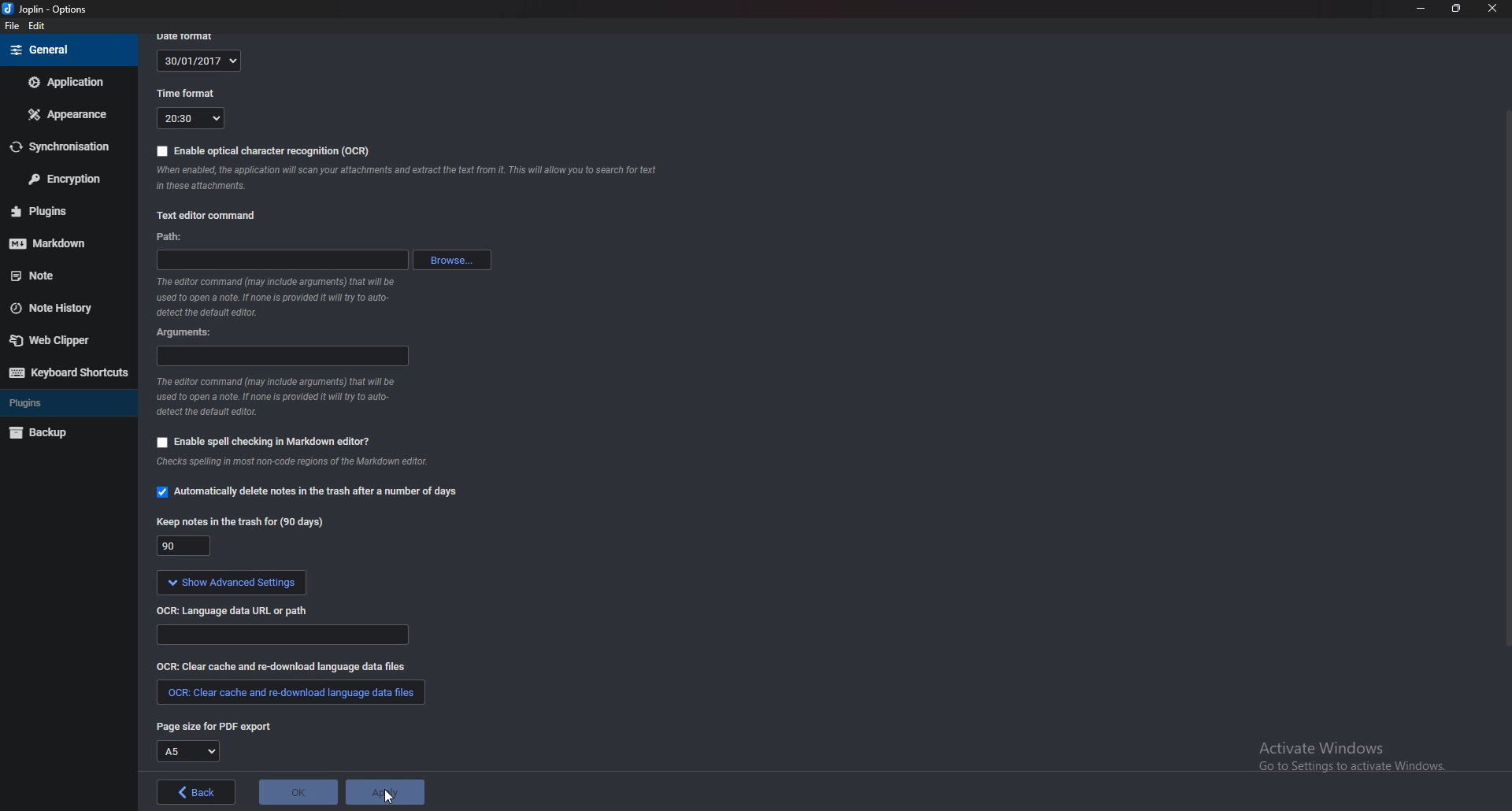  Describe the element at coordinates (195, 792) in the screenshot. I see `back` at that location.